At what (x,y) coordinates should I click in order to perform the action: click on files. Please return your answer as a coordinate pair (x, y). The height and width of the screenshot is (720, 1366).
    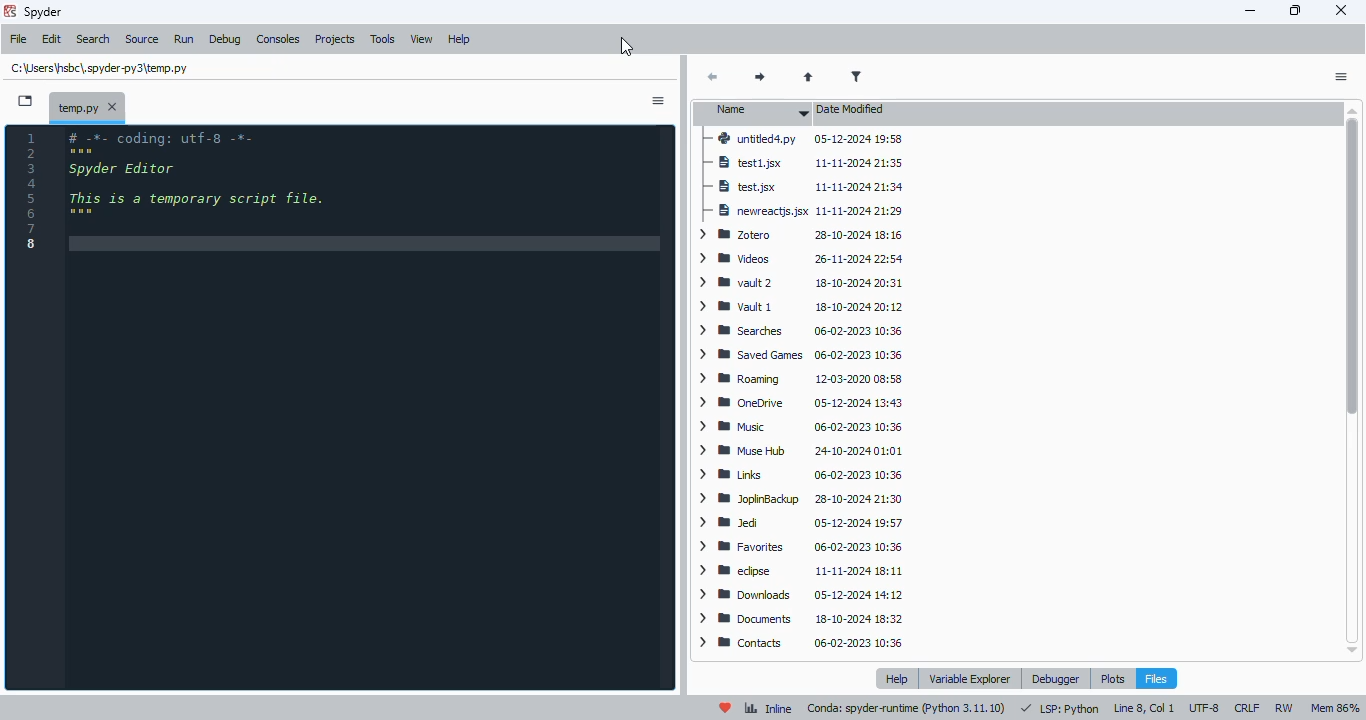
    Looking at the image, I should click on (1156, 678).